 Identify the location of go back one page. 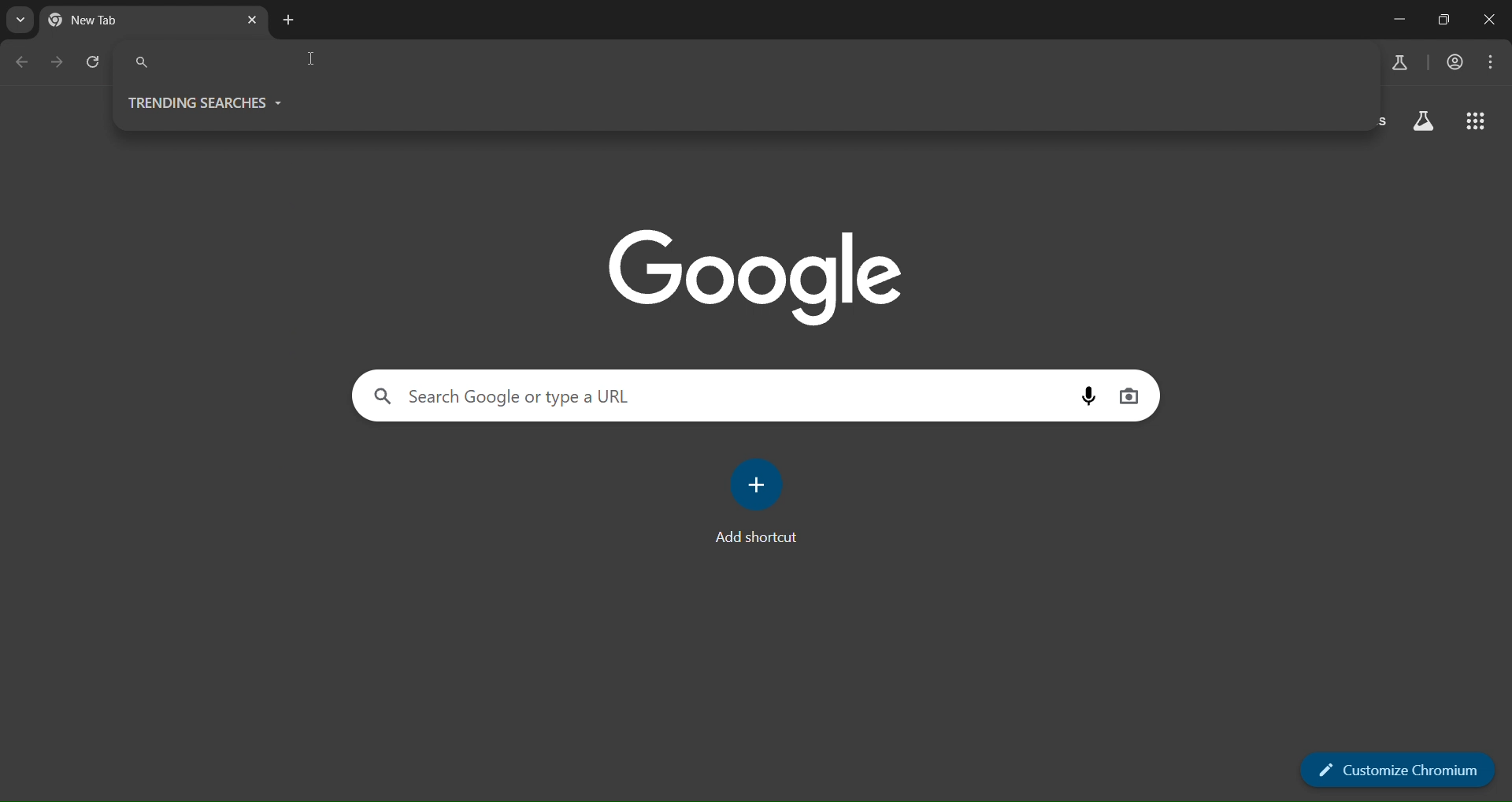
(19, 63).